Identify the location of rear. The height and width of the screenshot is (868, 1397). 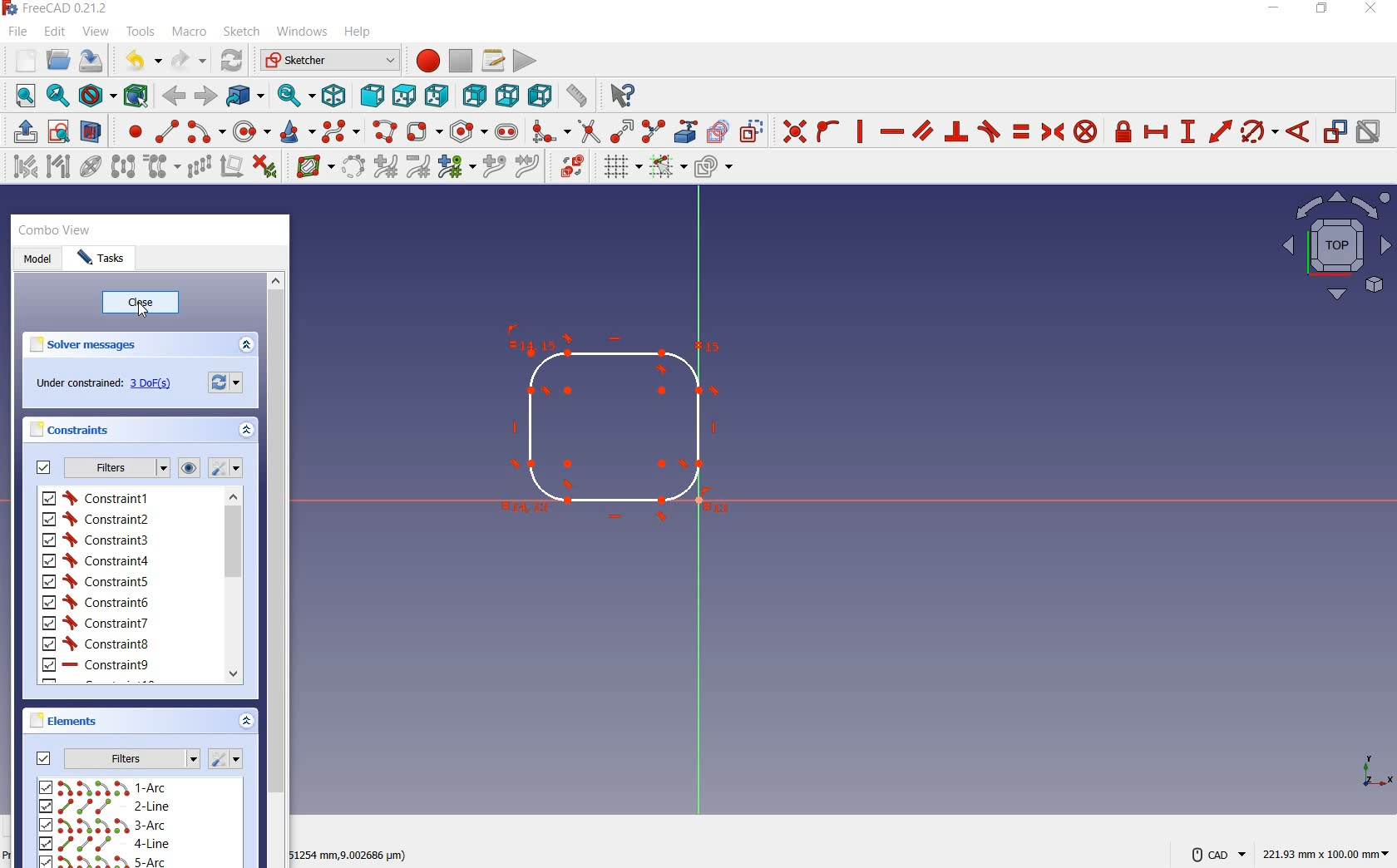
(475, 96).